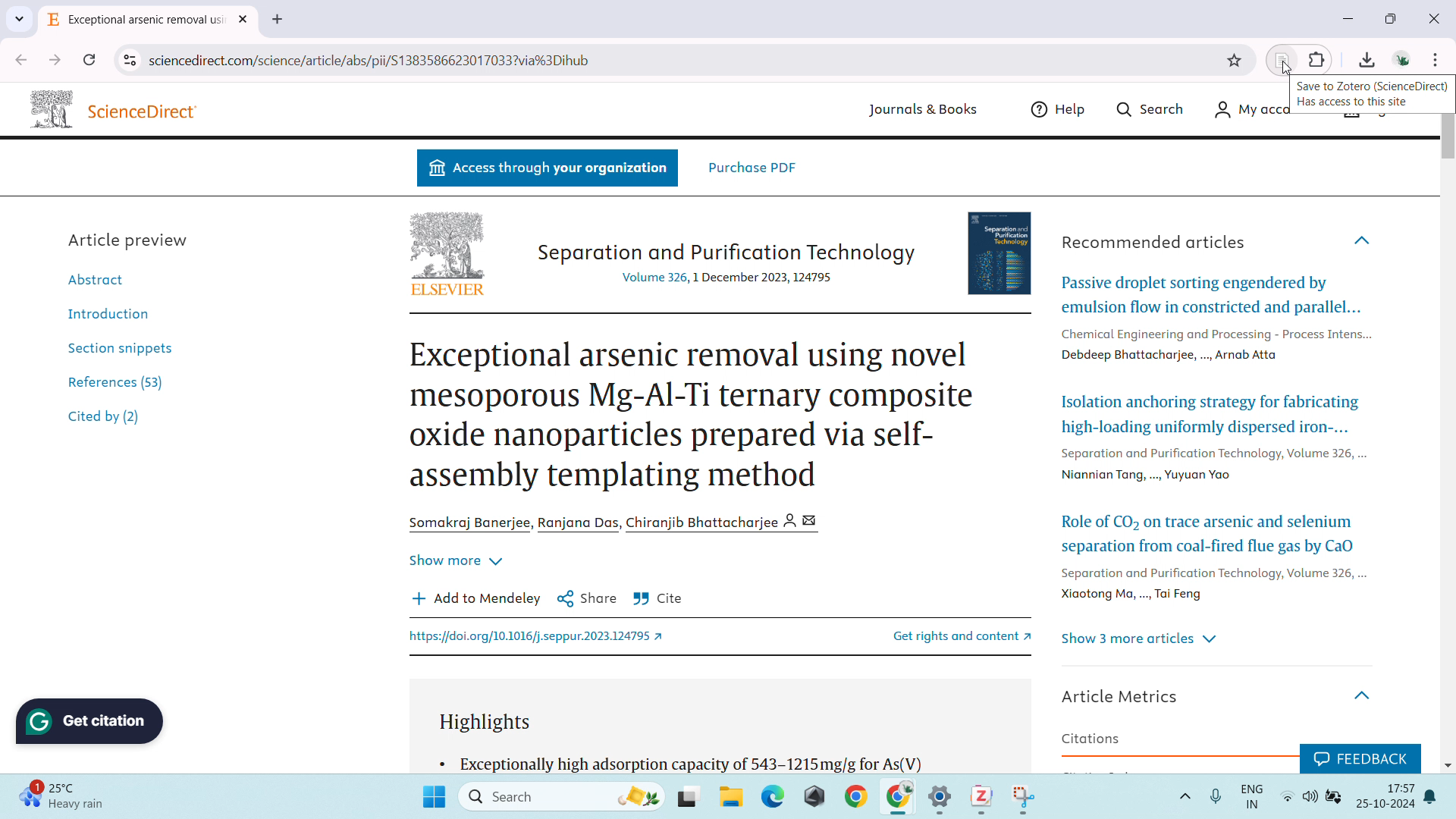  What do you see at coordinates (1364, 240) in the screenshot?
I see `Hide` at bounding box center [1364, 240].